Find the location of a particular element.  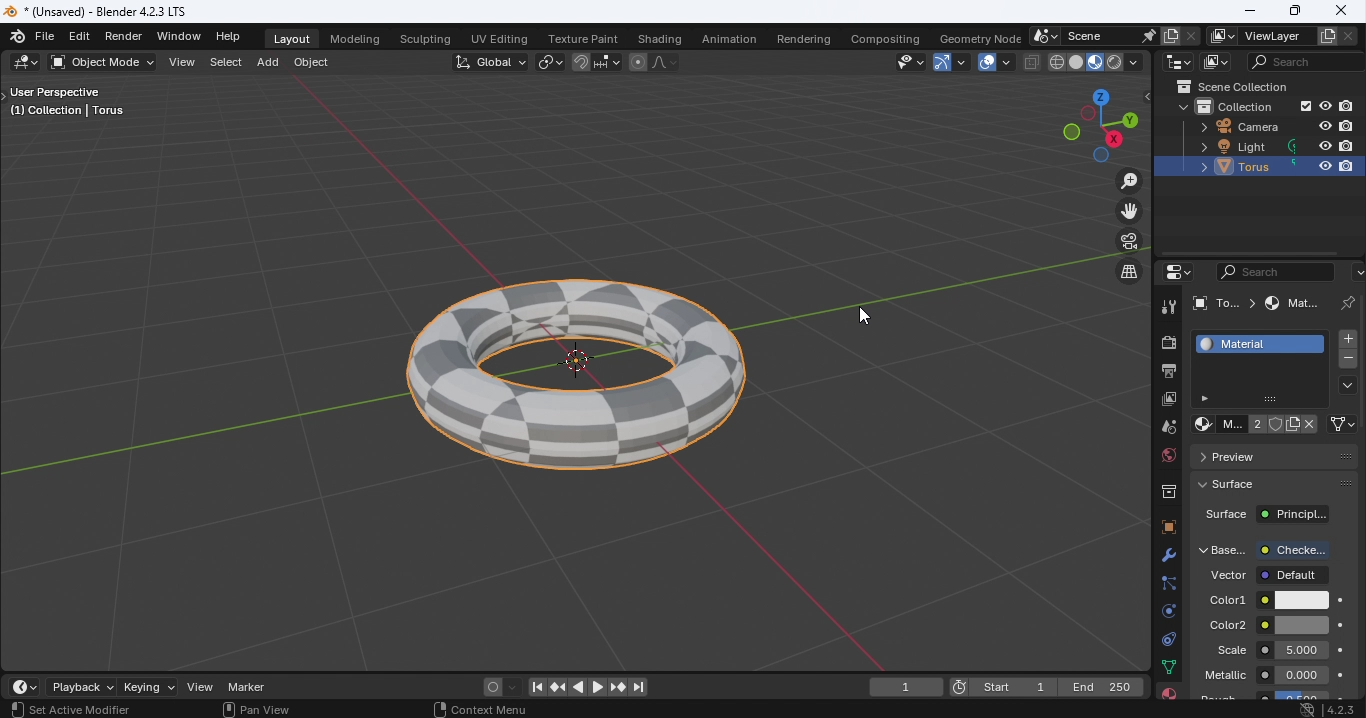

File is located at coordinates (45, 36).